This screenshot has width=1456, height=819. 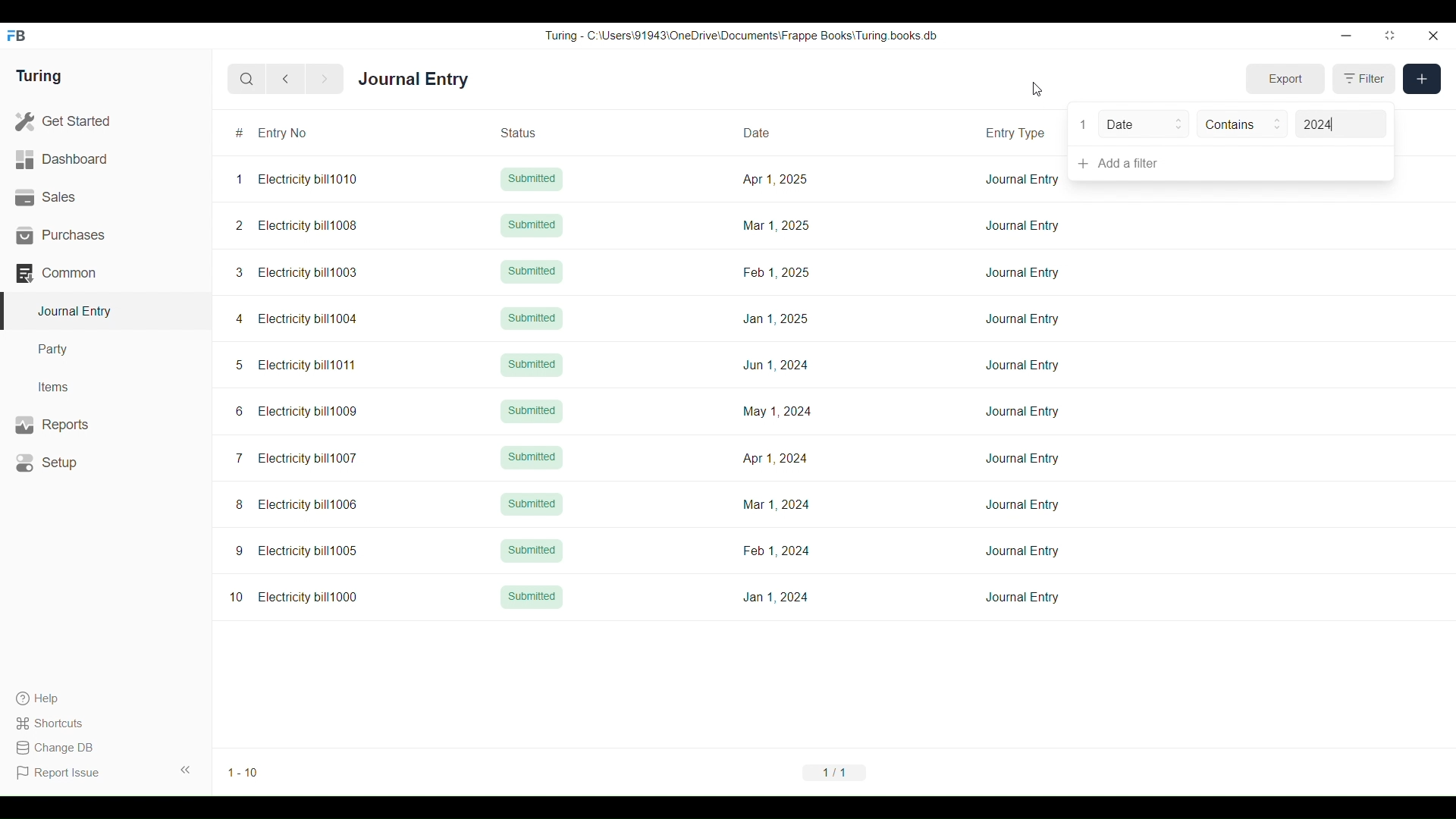 What do you see at coordinates (1018, 131) in the screenshot?
I see `Entry Type` at bounding box center [1018, 131].